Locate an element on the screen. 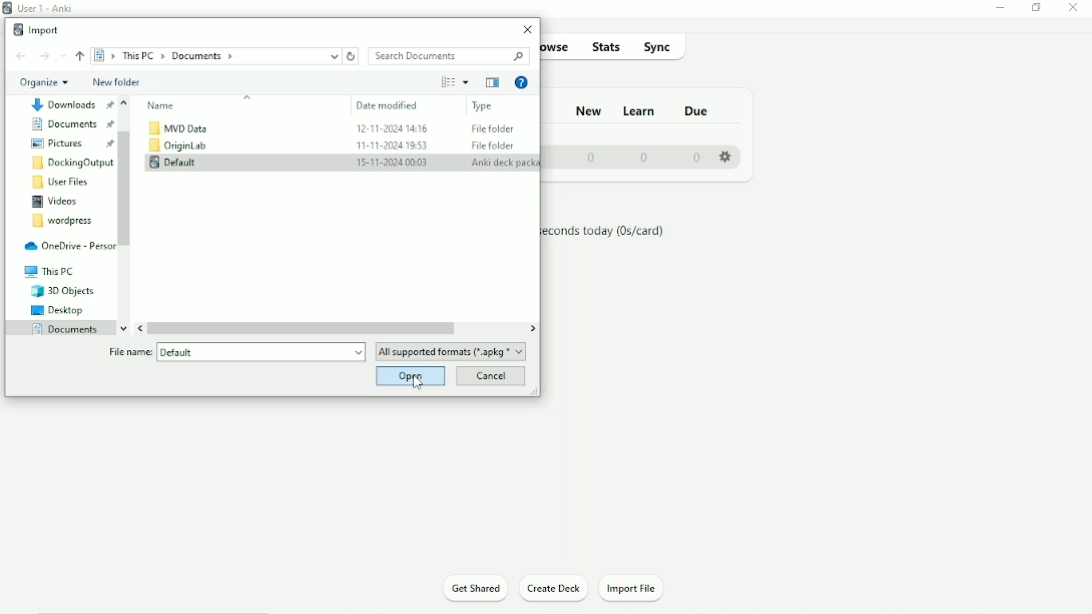  Back is located at coordinates (22, 56).